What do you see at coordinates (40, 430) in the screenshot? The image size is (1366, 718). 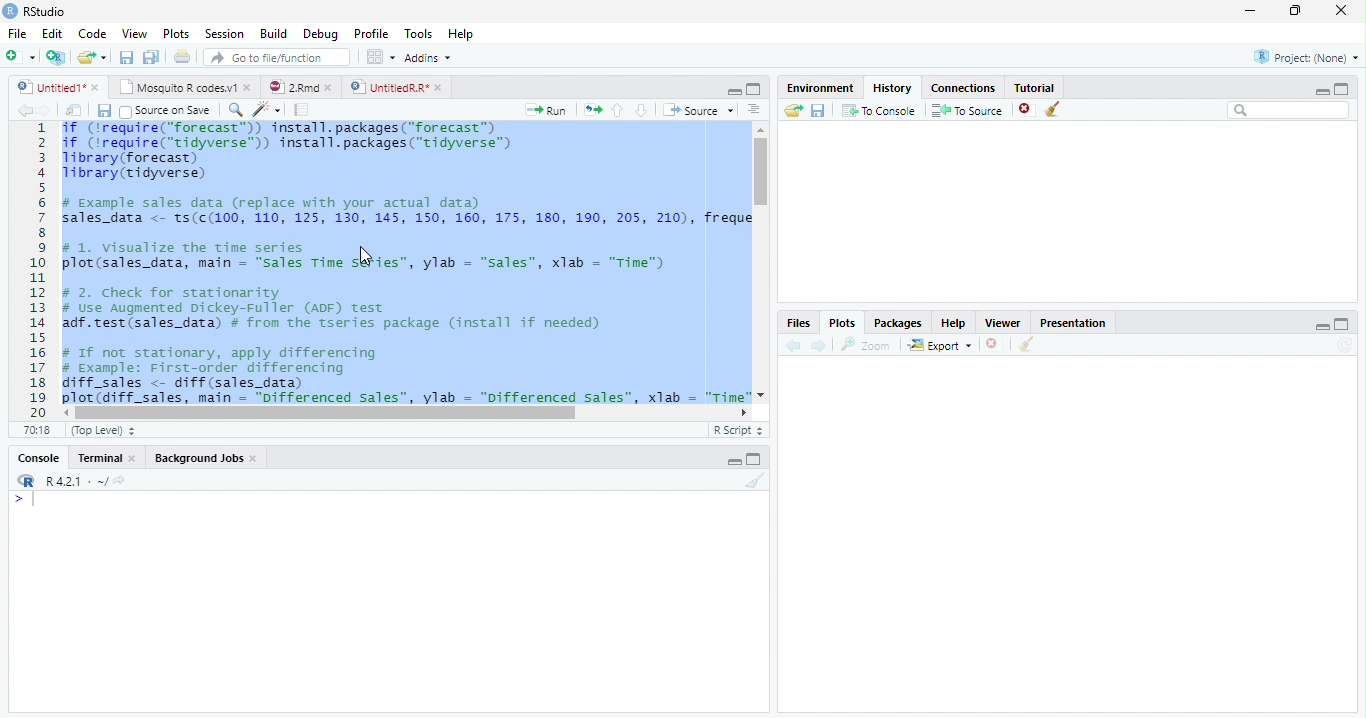 I see `1:1` at bounding box center [40, 430].